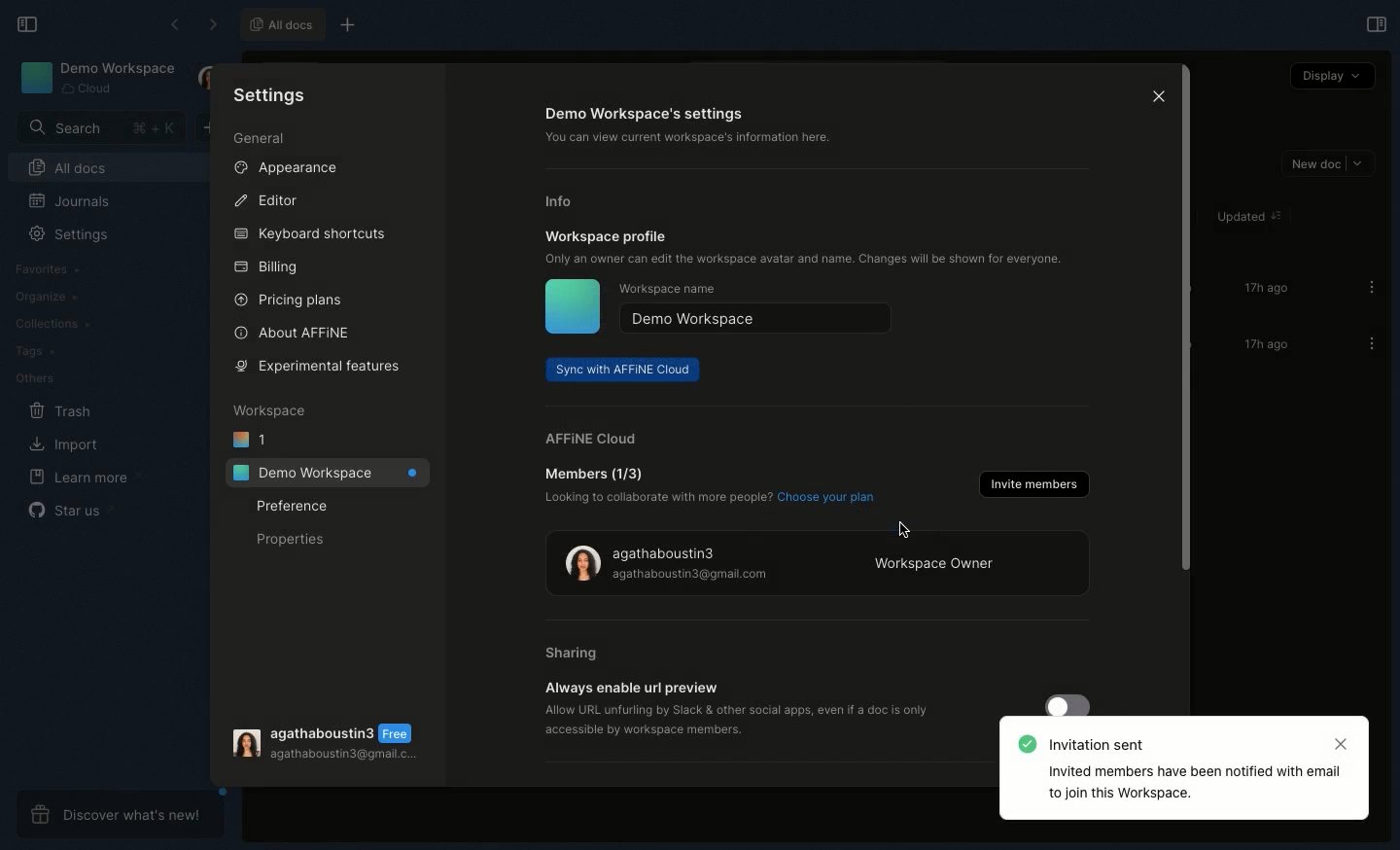 The image size is (1400, 850). What do you see at coordinates (52, 266) in the screenshot?
I see `Favorites` at bounding box center [52, 266].